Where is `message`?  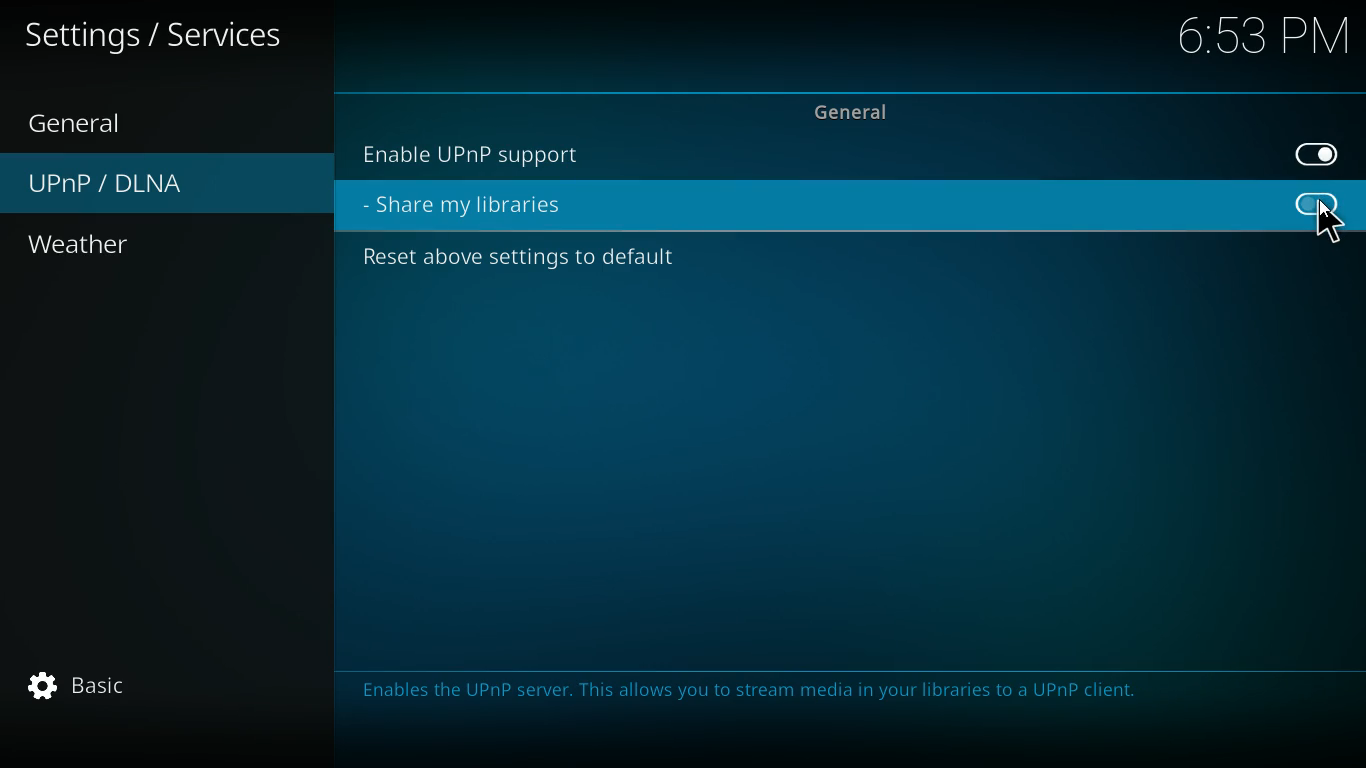
message is located at coordinates (850, 706).